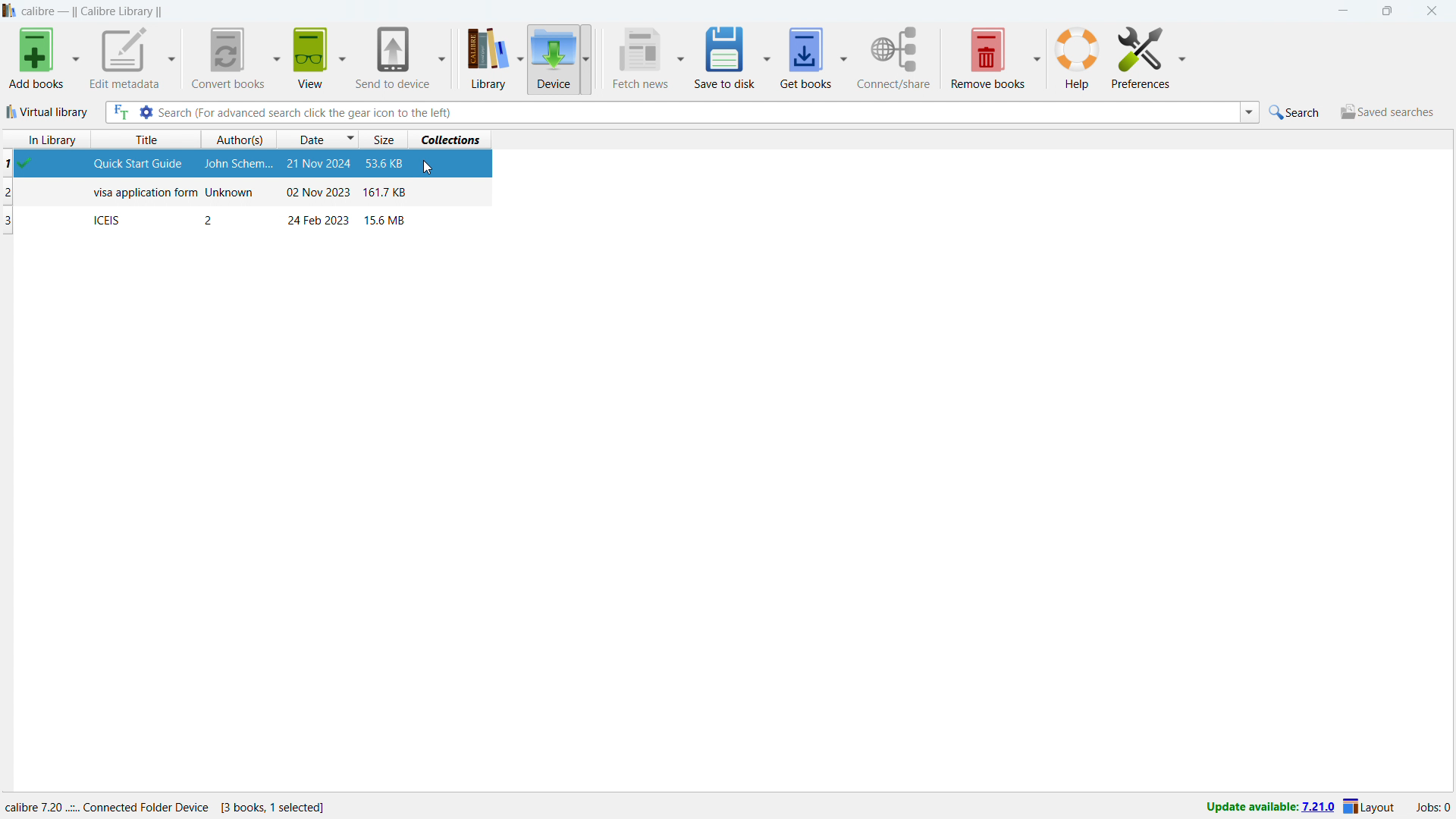  Describe the element at coordinates (146, 112) in the screenshot. I see `advanced search` at that location.